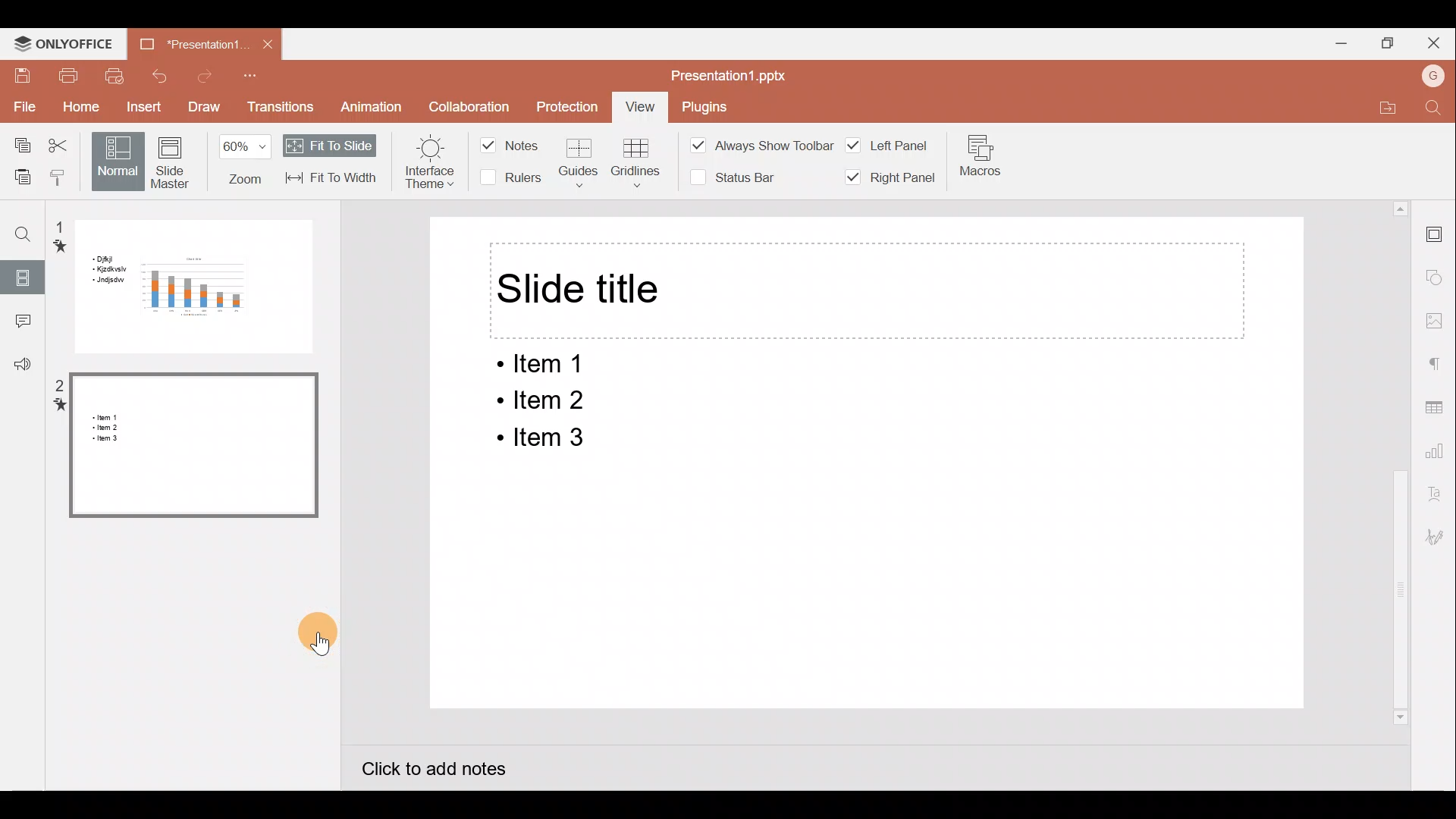  What do you see at coordinates (142, 106) in the screenshot?
I see `Insert` at bounding box center [142, 106].